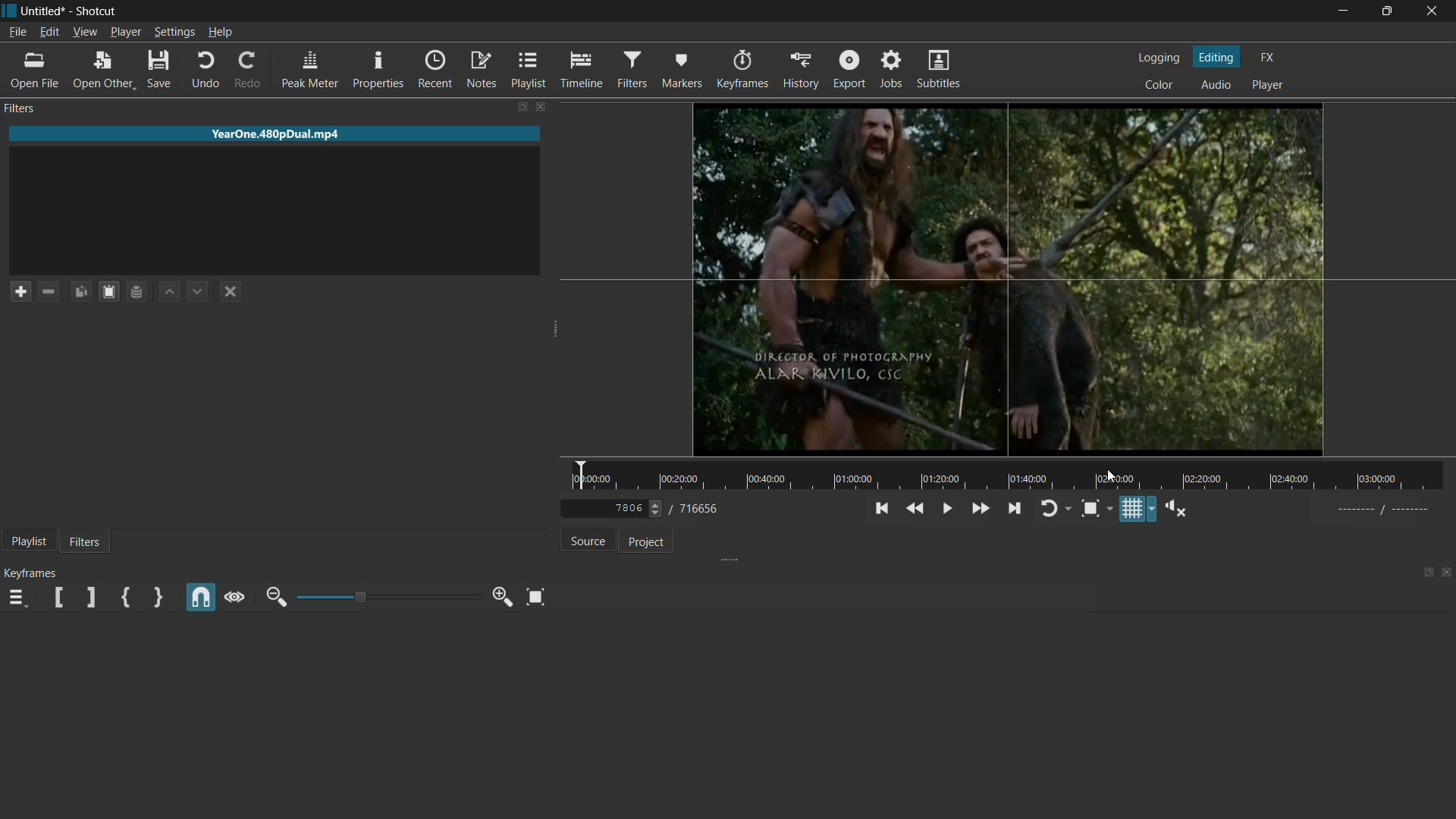 The height and width of the screenshot is (819, 1456). I want to click on filters, so click(87, 541).